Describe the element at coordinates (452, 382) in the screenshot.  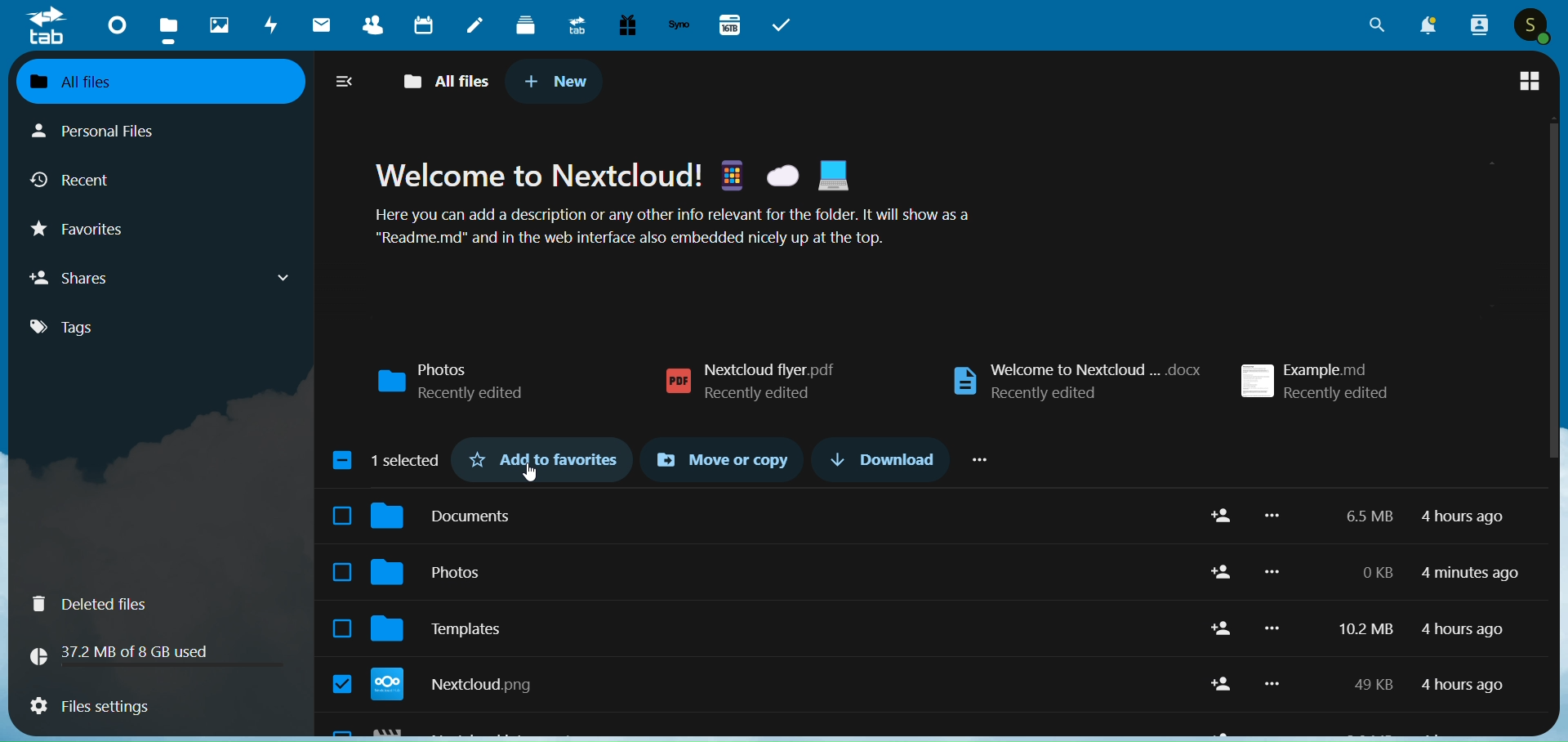
I see `Photos Recently edited` at that location.